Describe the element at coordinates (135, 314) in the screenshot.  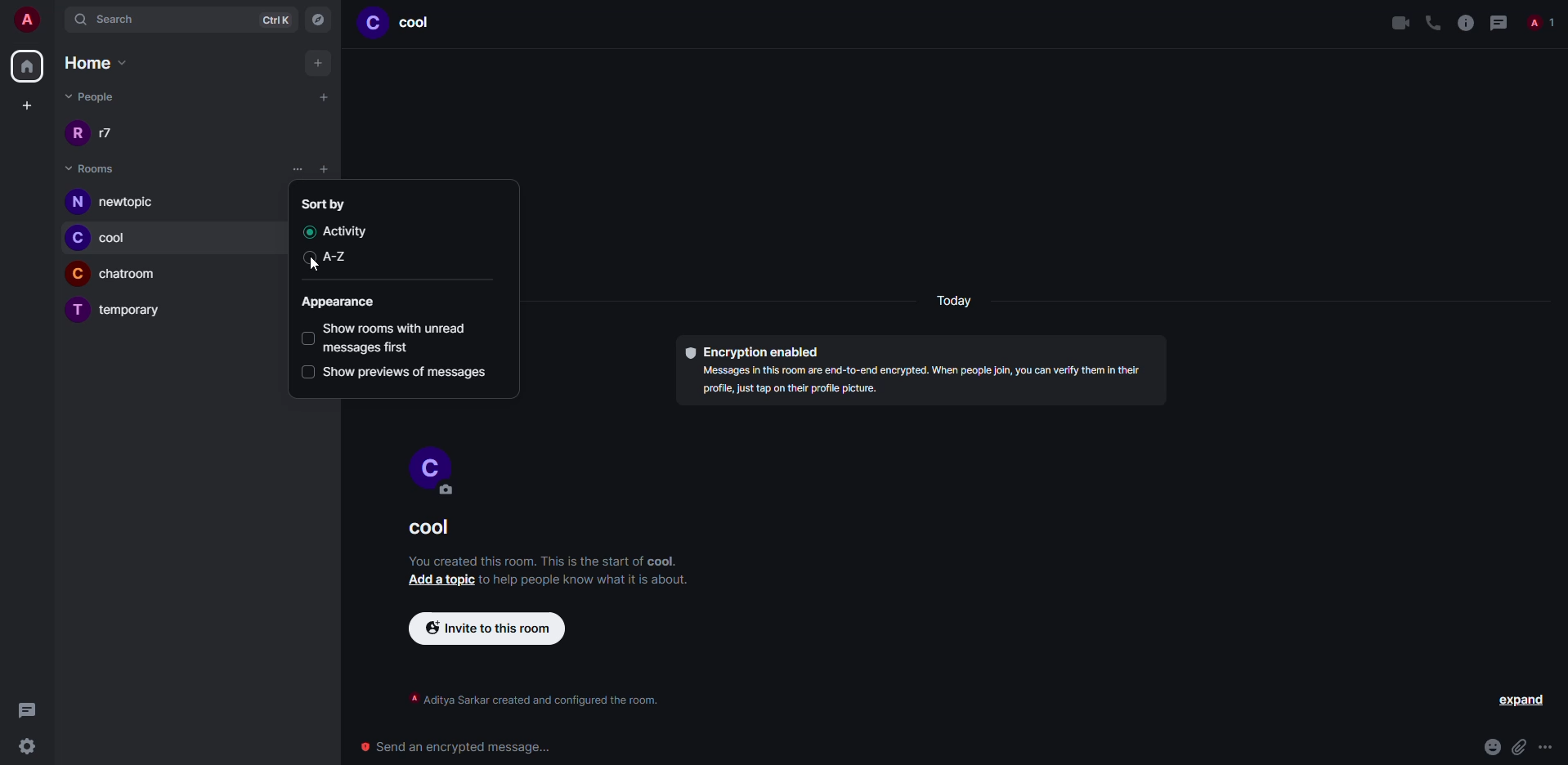
I see `room` at that location.